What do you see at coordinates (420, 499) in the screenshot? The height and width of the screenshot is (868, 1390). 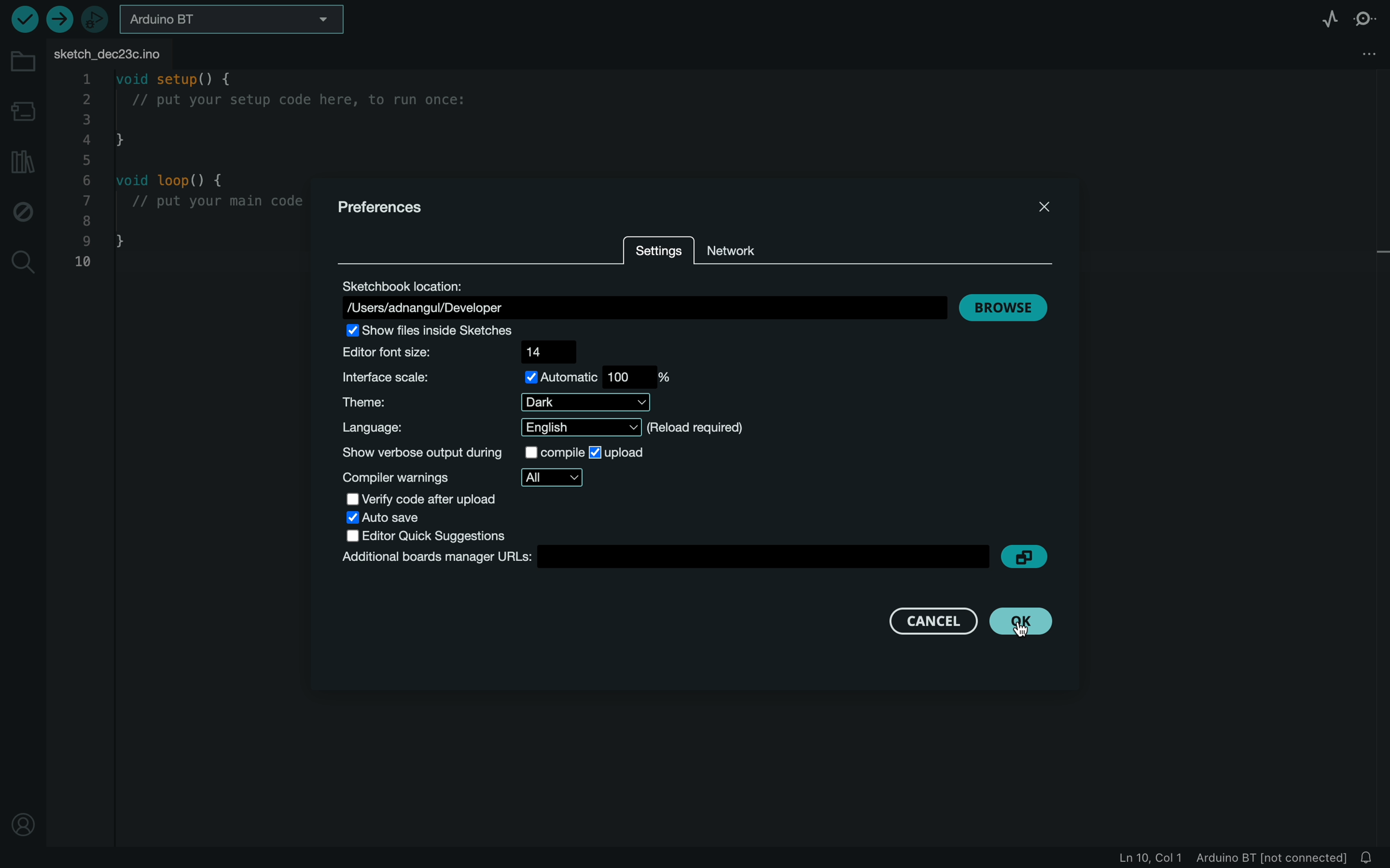 I see `verify code` at bounding box center [420, 499].